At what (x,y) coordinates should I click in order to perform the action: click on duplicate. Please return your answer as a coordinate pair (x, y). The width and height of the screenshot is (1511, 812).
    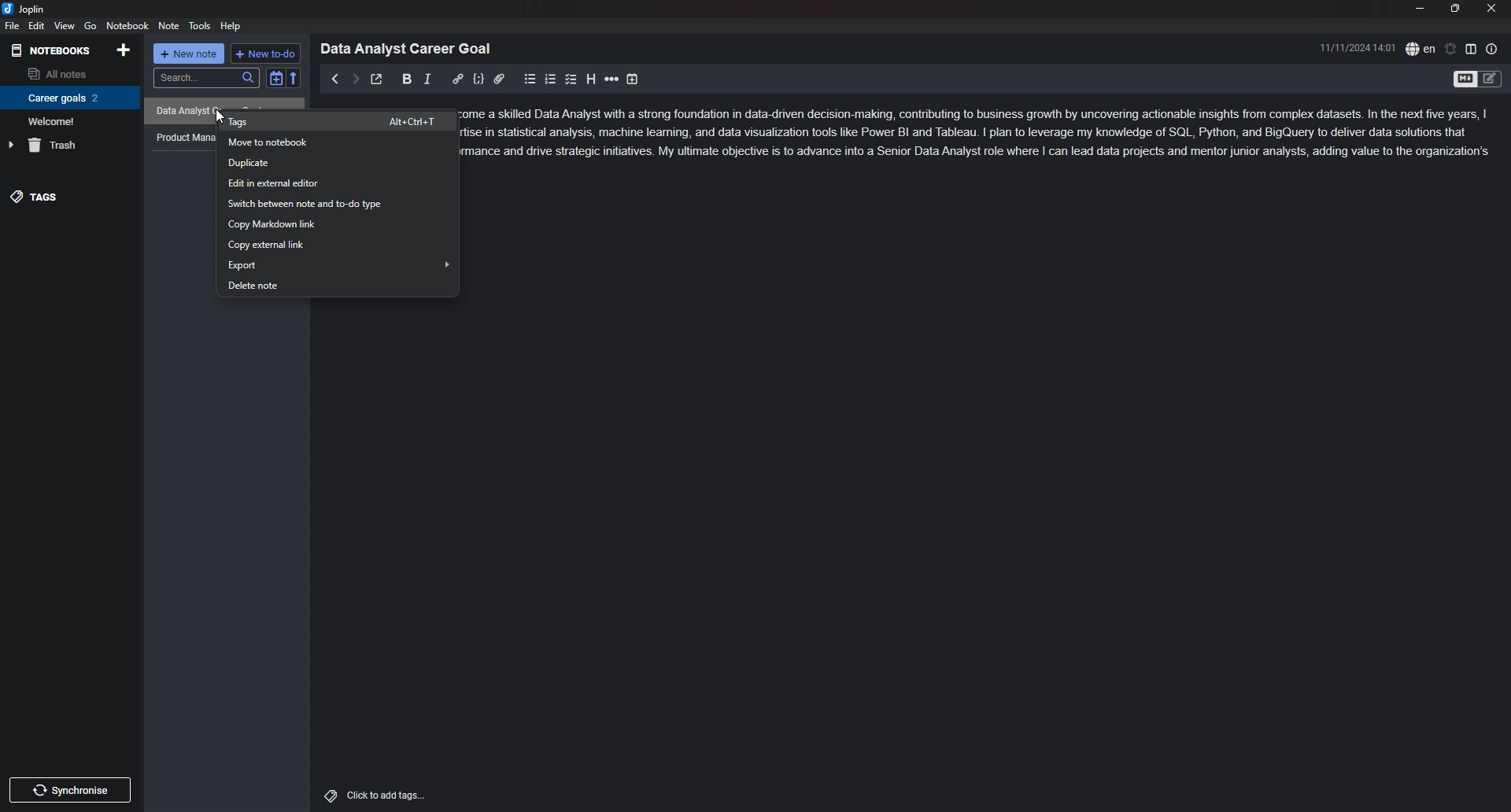
    Looking at the image, I should click on (338, 164).